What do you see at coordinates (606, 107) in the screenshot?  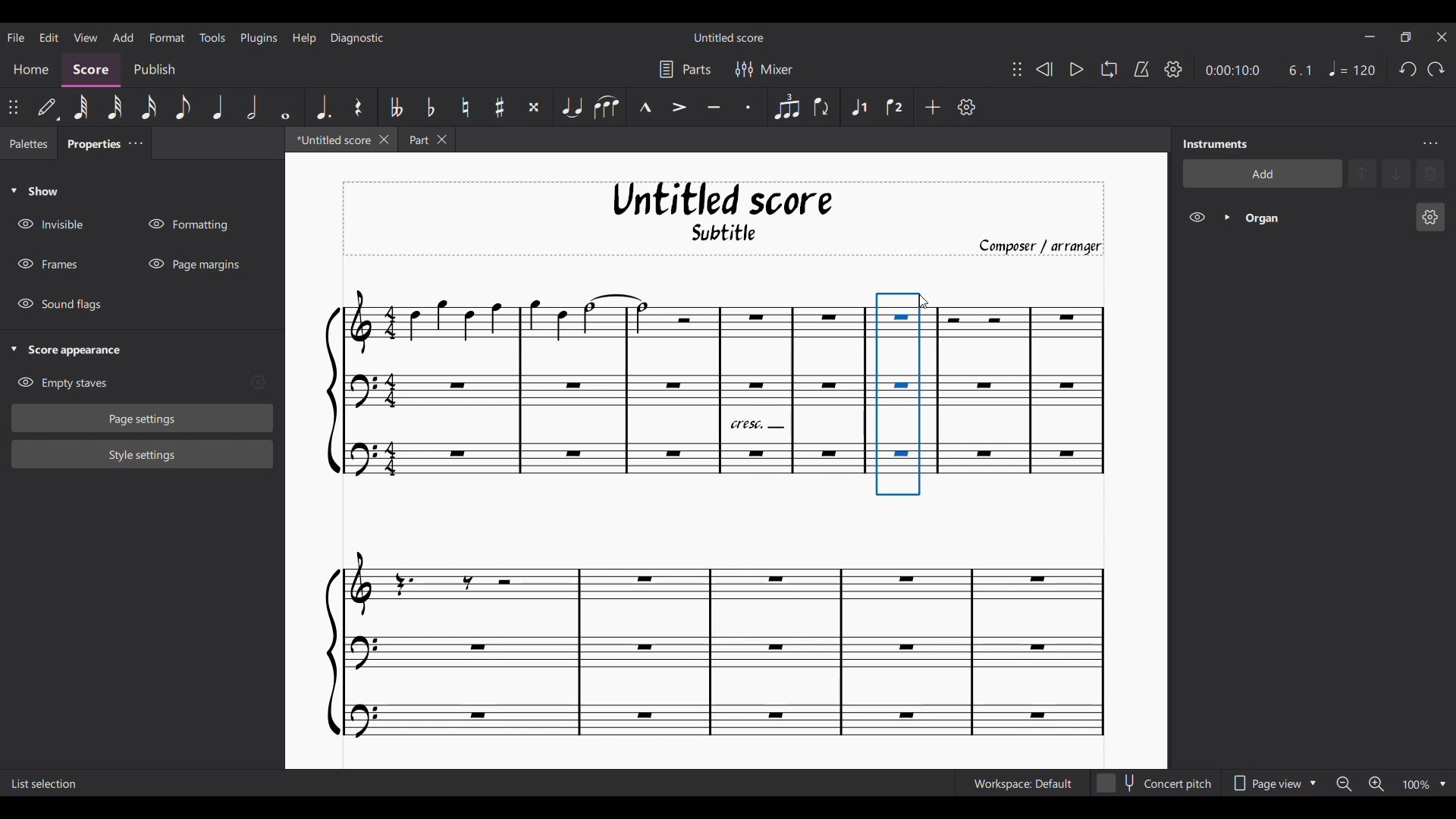 I see `Slur` at bounding box center [606, 107].